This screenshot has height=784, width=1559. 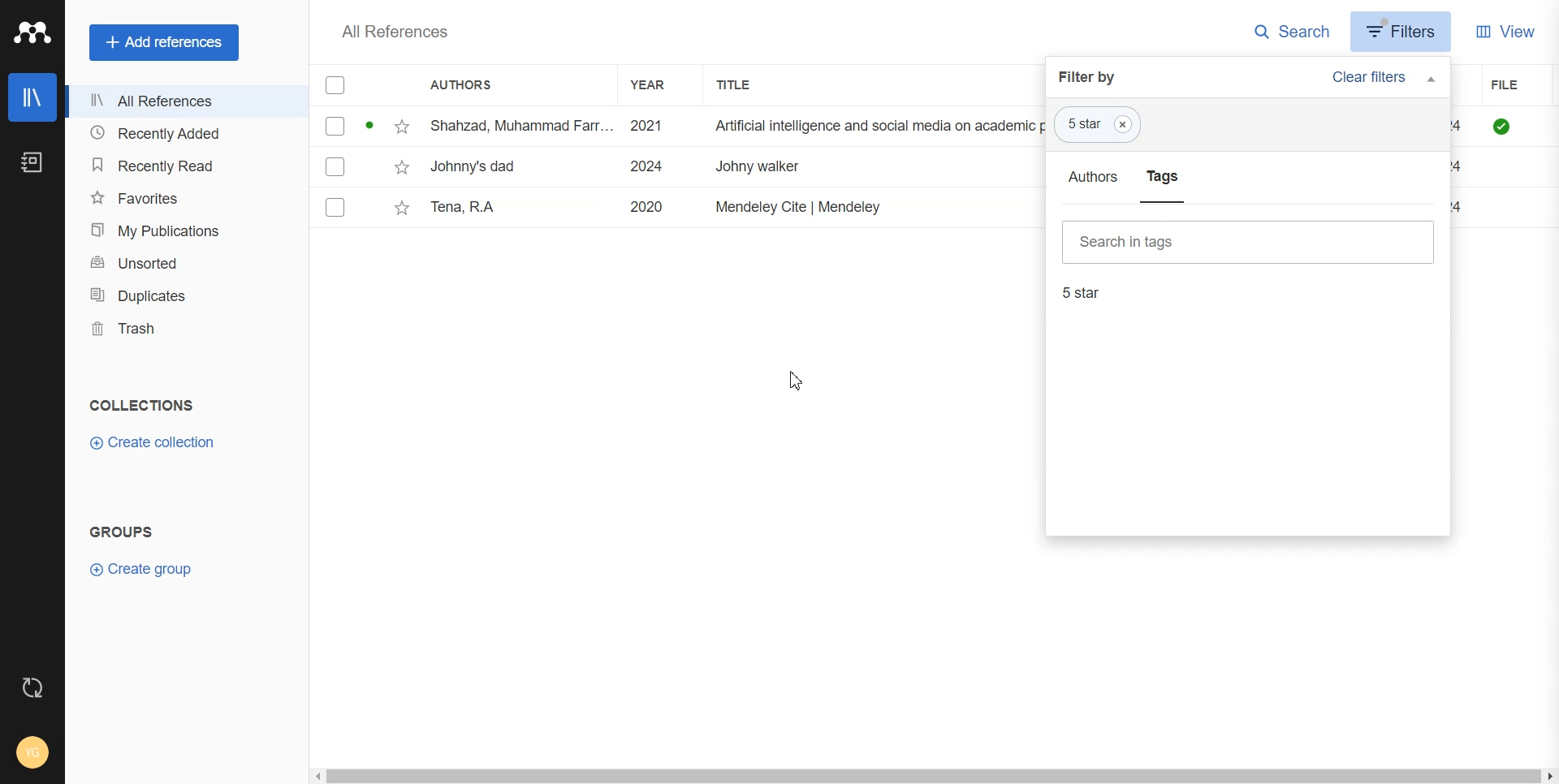 What do you see at coordinates (752, 85) in the screenshot?
I see `Title` at bounding box center [752, 85].